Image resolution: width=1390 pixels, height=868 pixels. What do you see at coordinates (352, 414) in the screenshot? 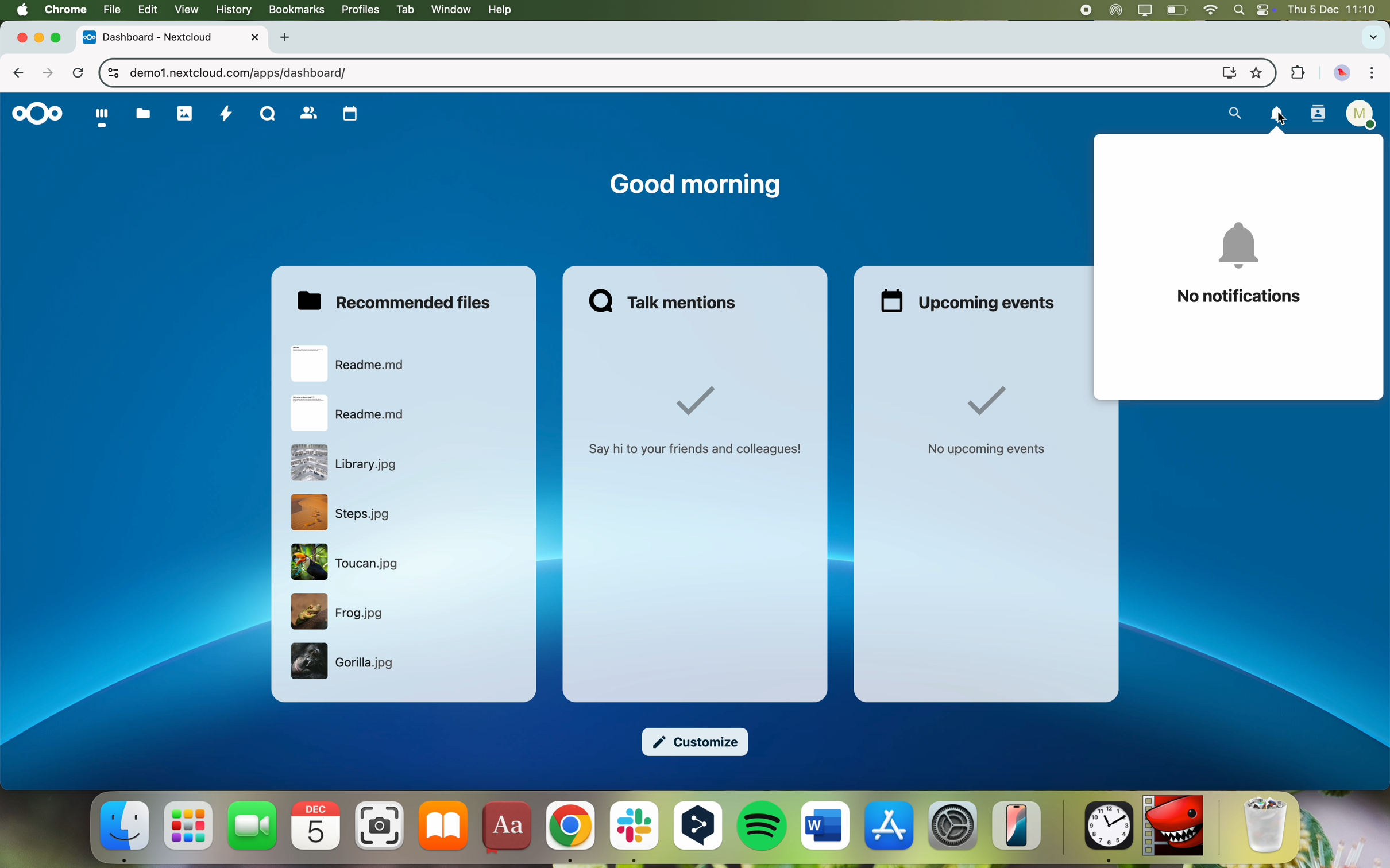
I see `file` at bounding box center [352, 414].